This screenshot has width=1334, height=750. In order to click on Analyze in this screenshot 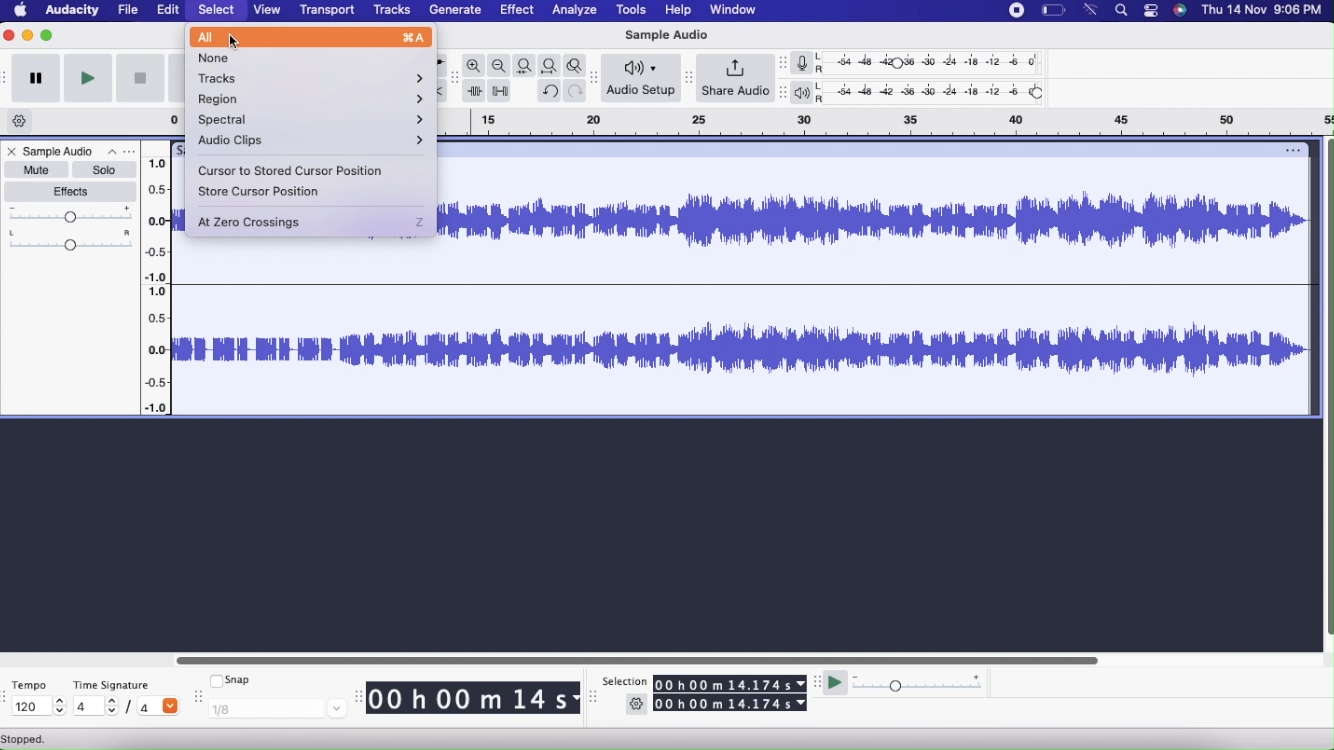, I will do `click(576, 10)`.